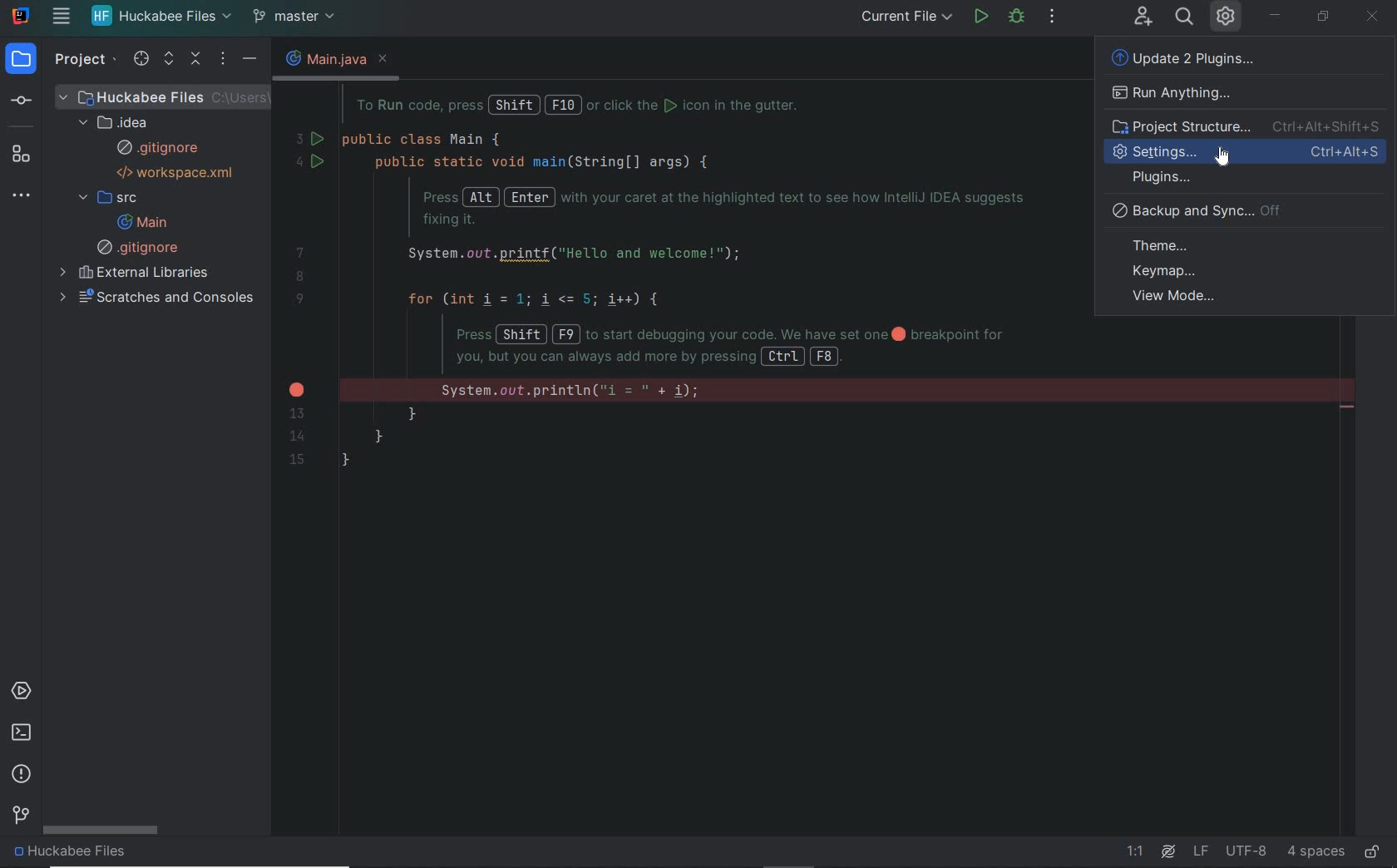  Describe the element at coordinates (23, 60) in the screenshot. I see `project` at that location.